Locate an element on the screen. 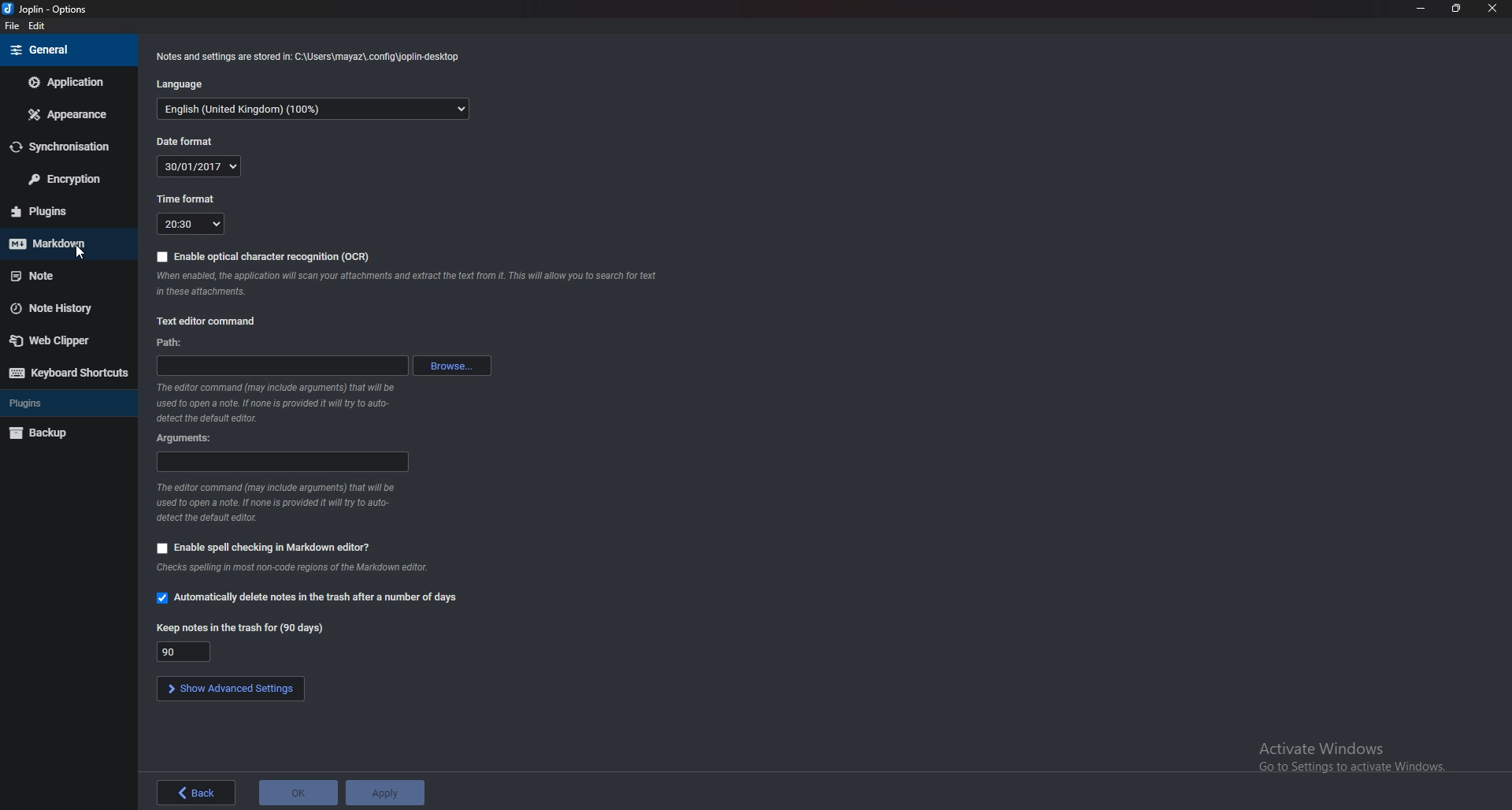  Mark down is located at coordinates (57, 244).